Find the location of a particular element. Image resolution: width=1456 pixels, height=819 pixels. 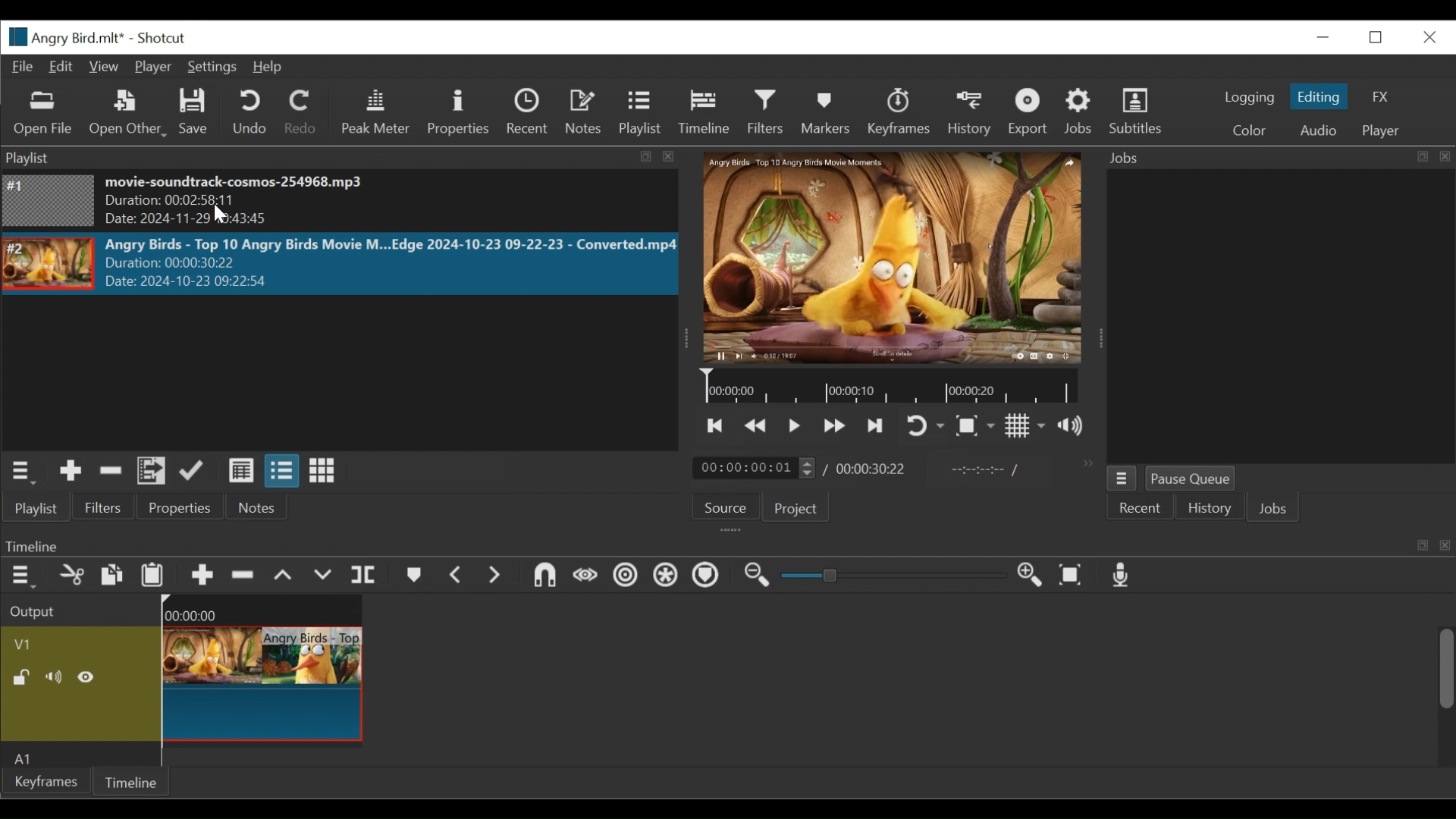

Zoom in  is located at coordinates (1035, 576).